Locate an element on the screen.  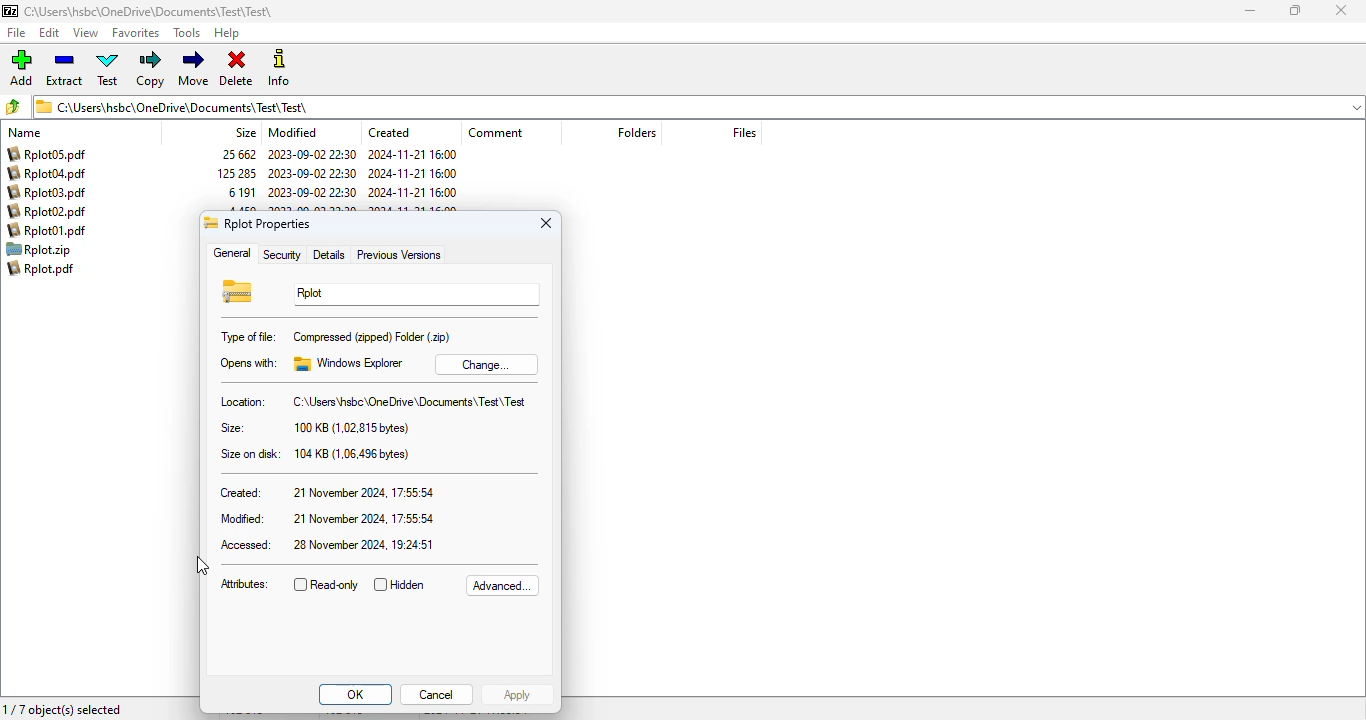
.zip logo is located at coordinates (238, 292).